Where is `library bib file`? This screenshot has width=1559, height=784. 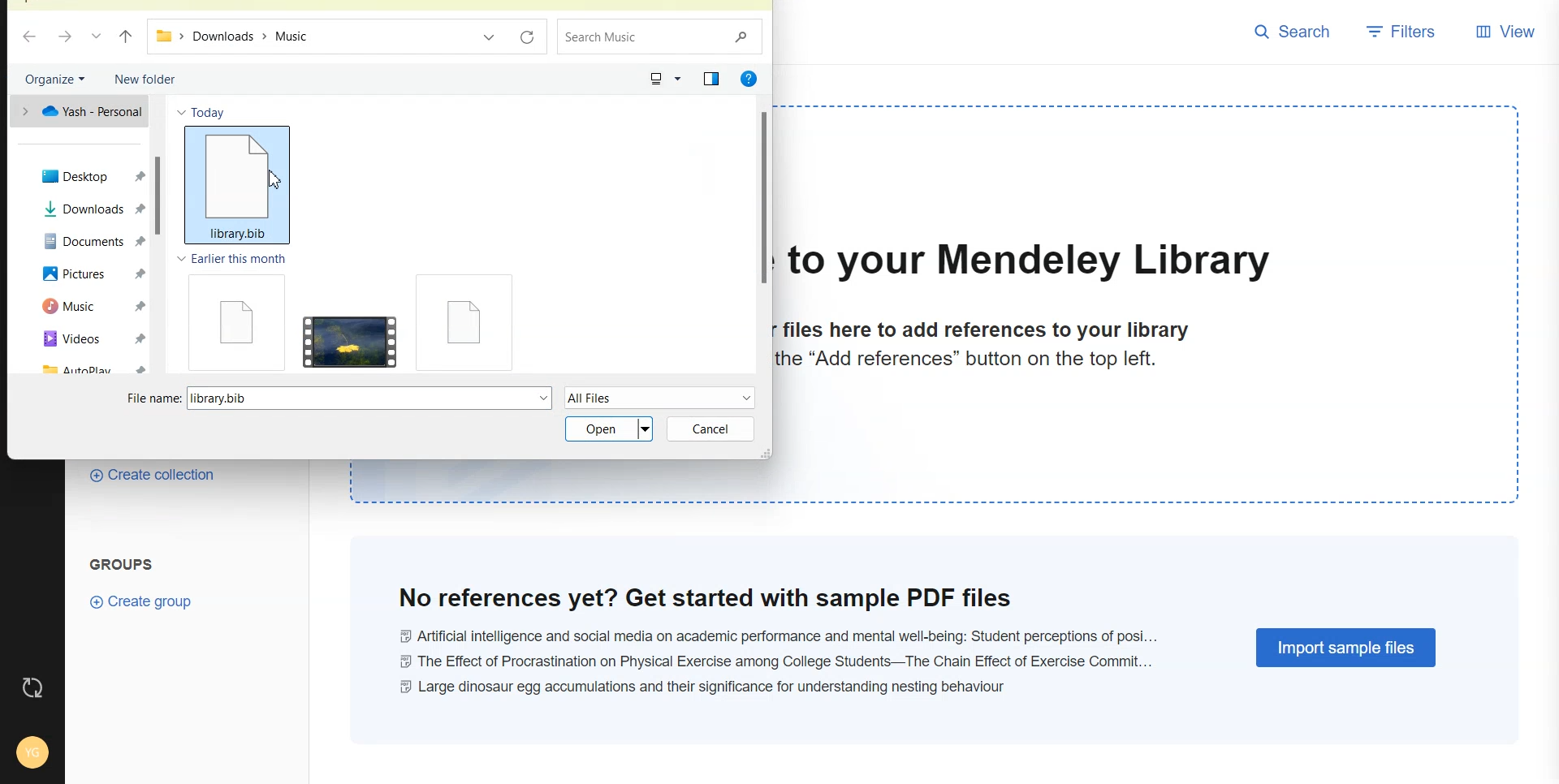 library bib file is located at coordinates (239, 186).